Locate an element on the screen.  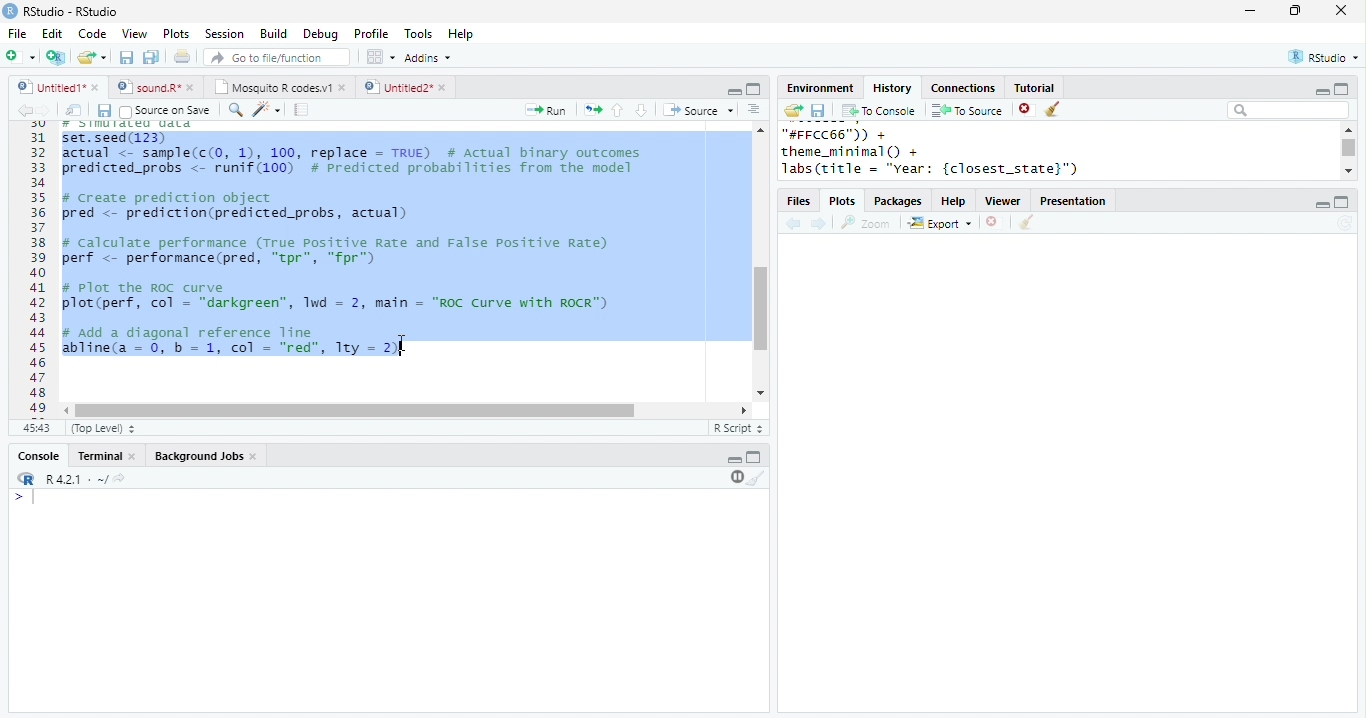
open file is located at coordinates (92, 57).